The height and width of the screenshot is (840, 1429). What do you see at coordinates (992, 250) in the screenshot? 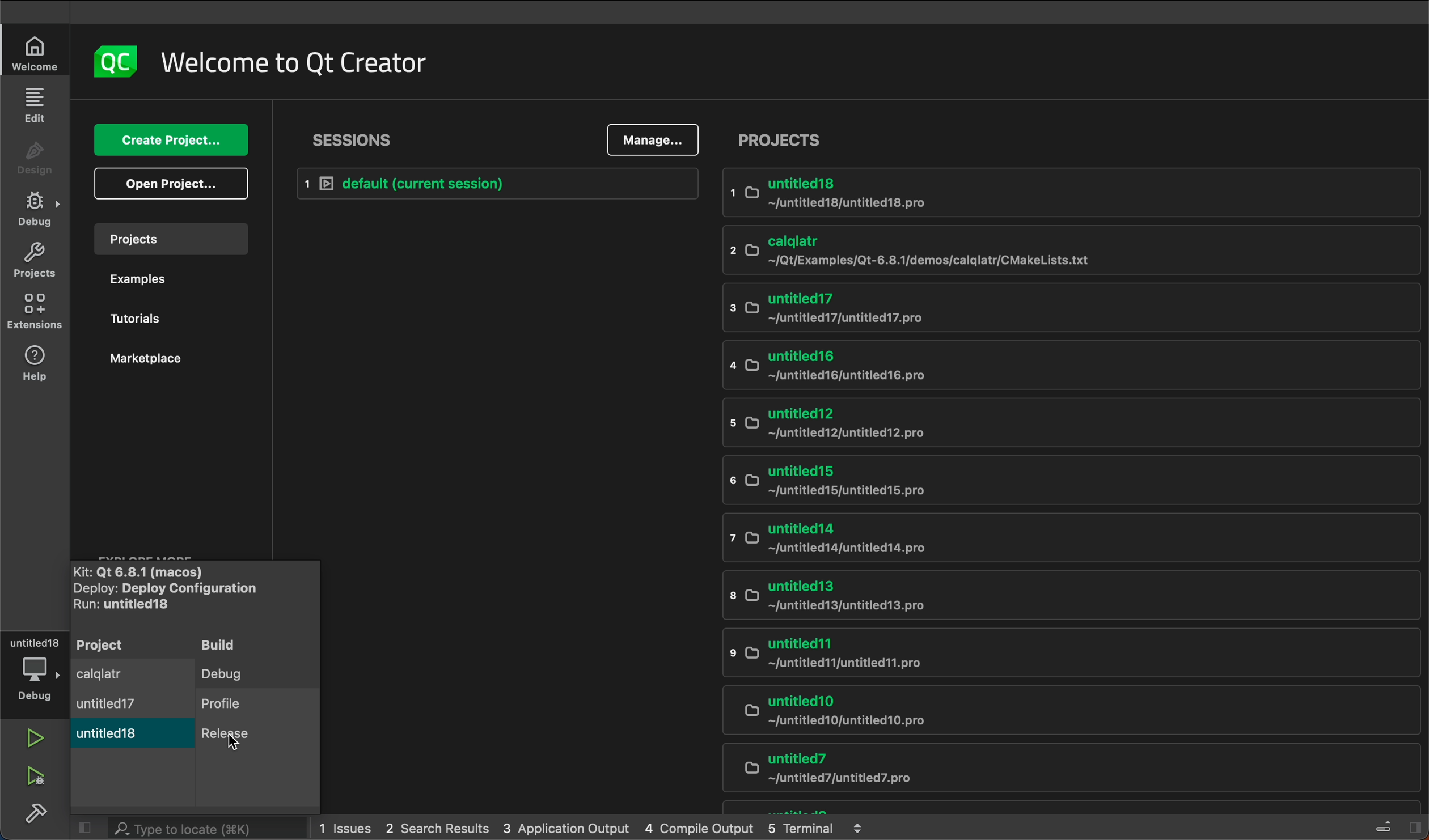
I see `calqlatr` at bounding box center [992, 250].